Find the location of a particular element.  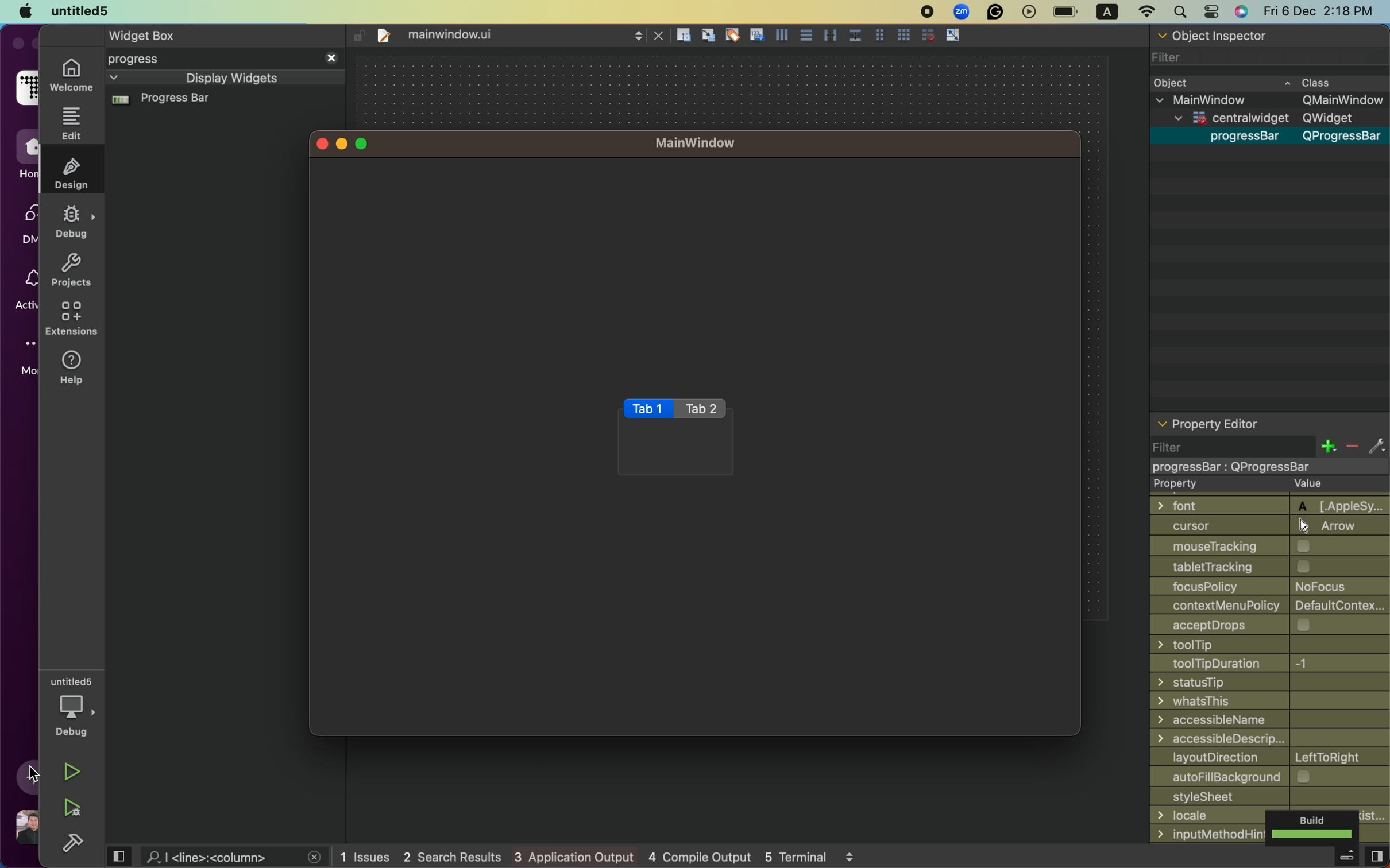

Battery is located at coordinates (1064, 11).